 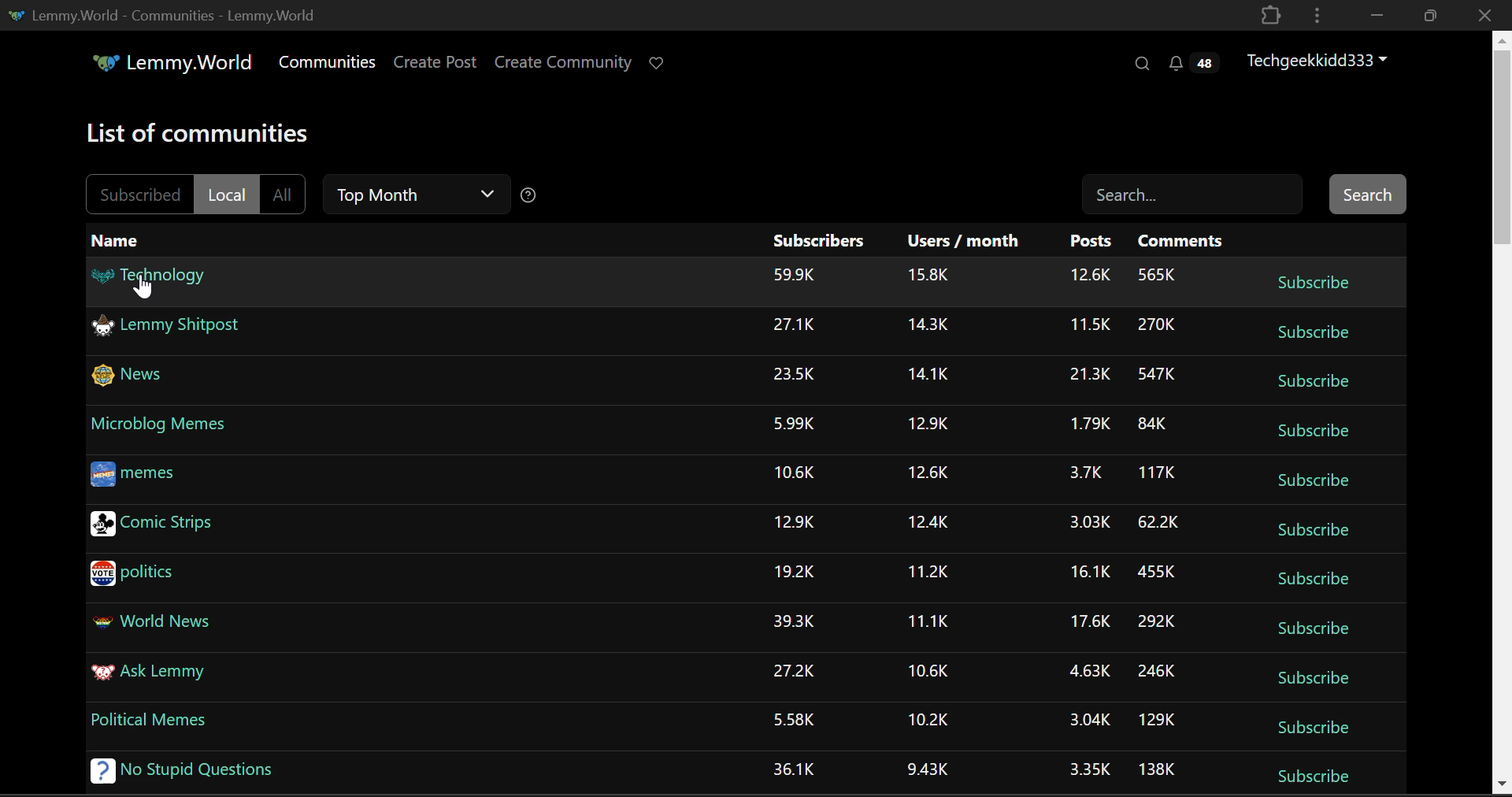 What do you see at coordinates (794, 672) in the screenshot?
I see `Amount` at bounding box center [794, 672].